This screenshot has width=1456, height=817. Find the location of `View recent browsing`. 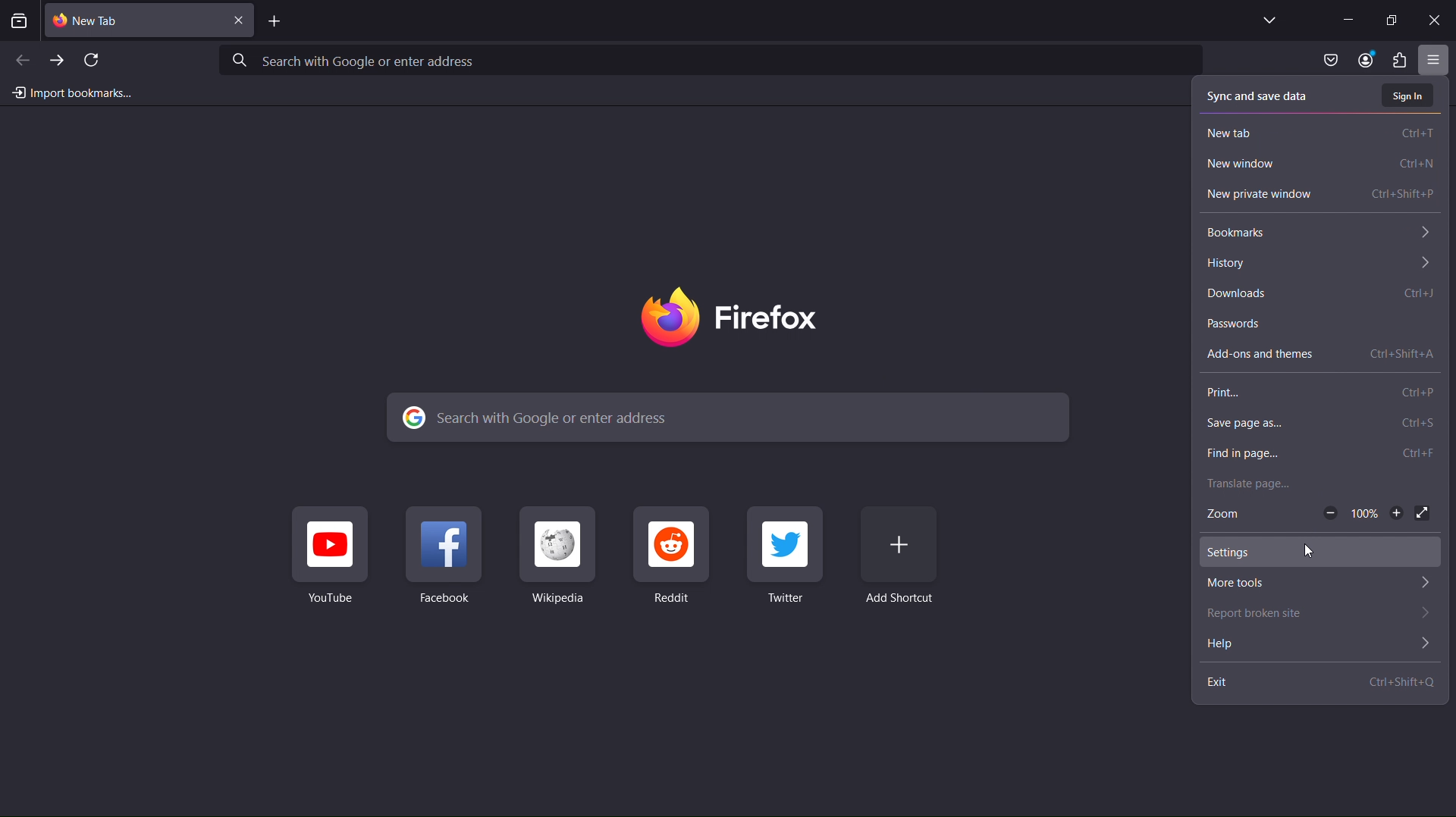

View recent browsing is located at coordinates (22, 21).